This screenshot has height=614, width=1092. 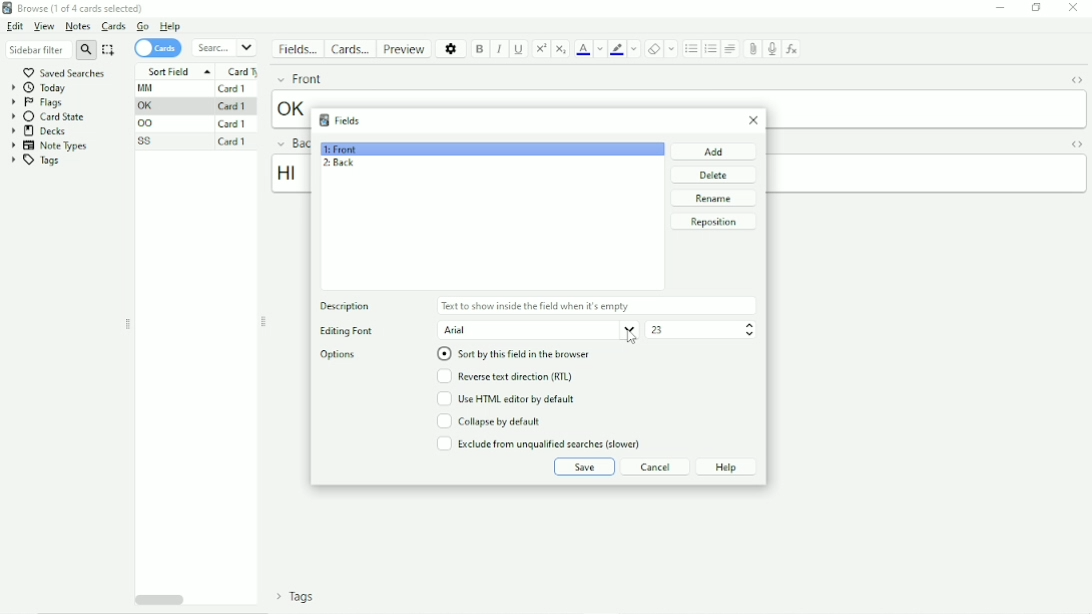 I want to click on Arial, so click(x=537, y=330).